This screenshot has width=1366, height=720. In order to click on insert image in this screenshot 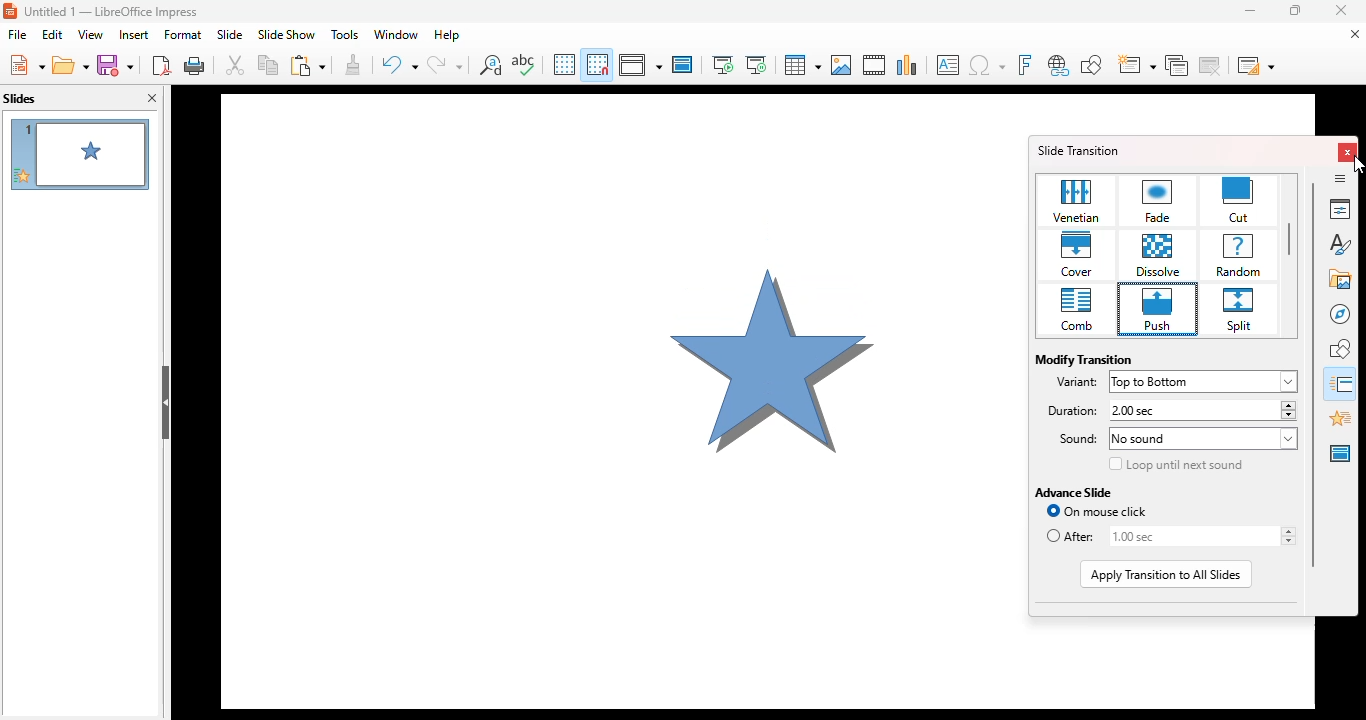, I will do `click(843, 65)`.